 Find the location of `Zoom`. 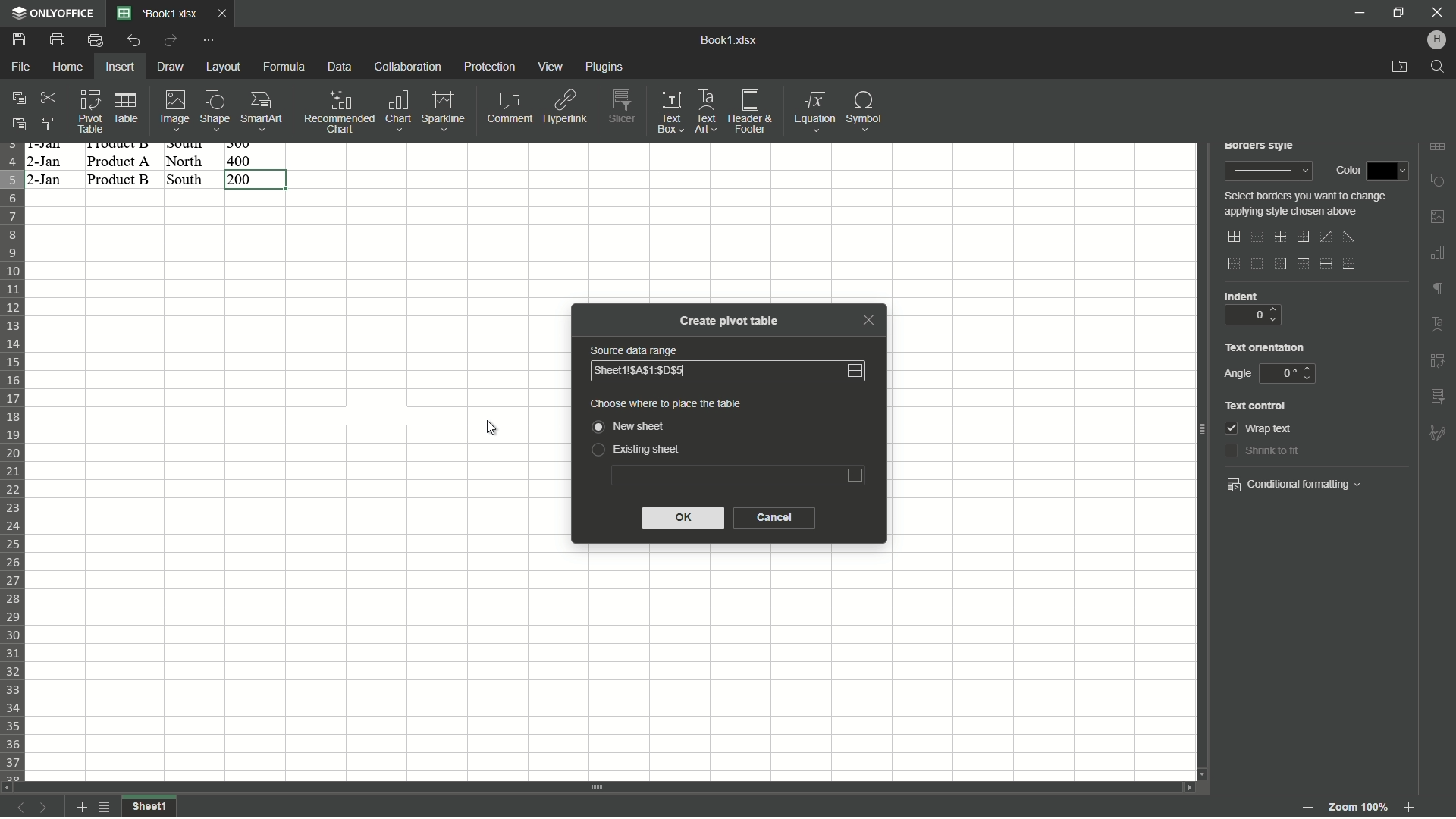

Zoom is located at coordinates (1410, 810).